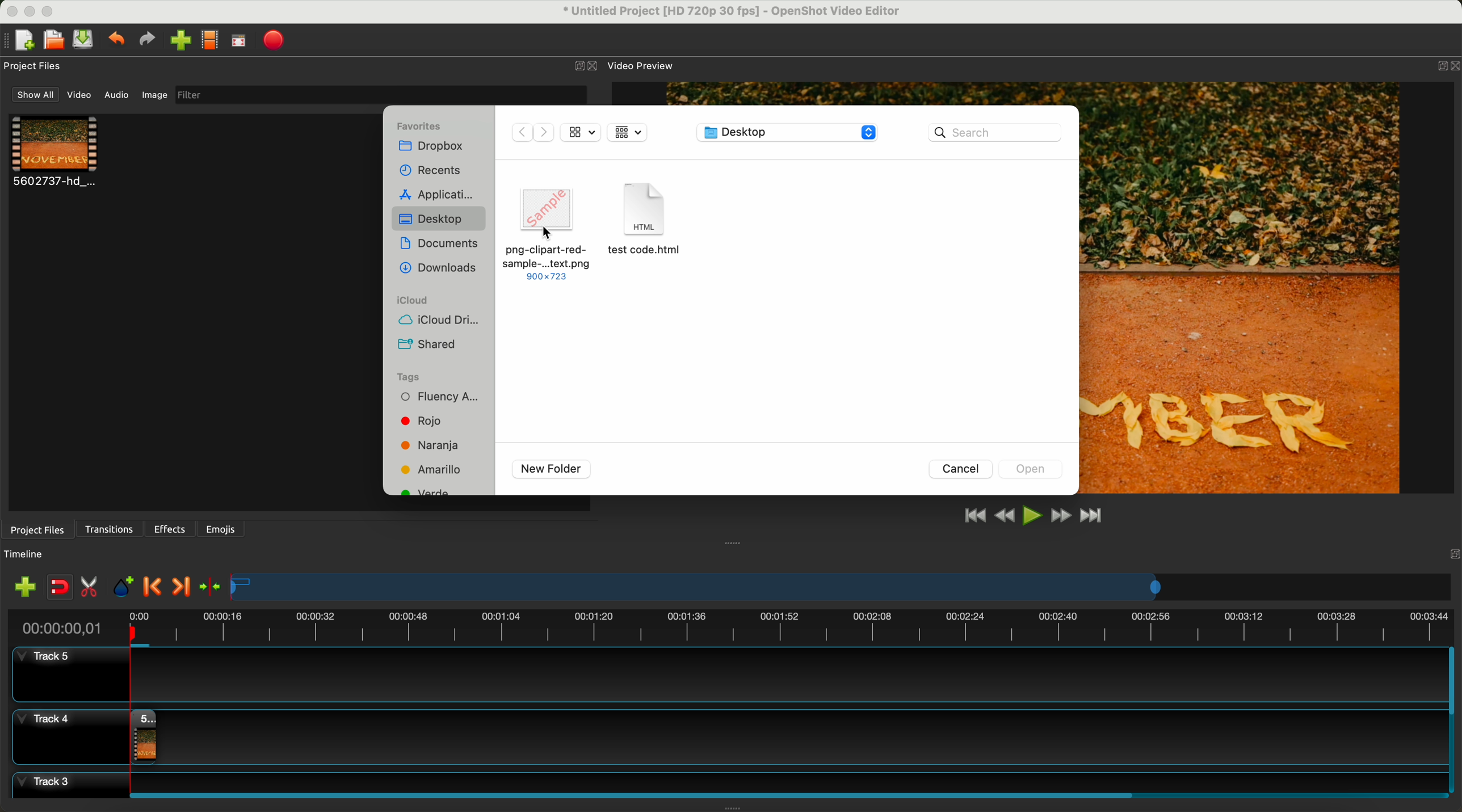 Image resolution: width=1462 pixels, height=812 pixels. What do you see at coordinates (432, 170) in the screenshot?
I see `recents` at bounding box center [432, 170].